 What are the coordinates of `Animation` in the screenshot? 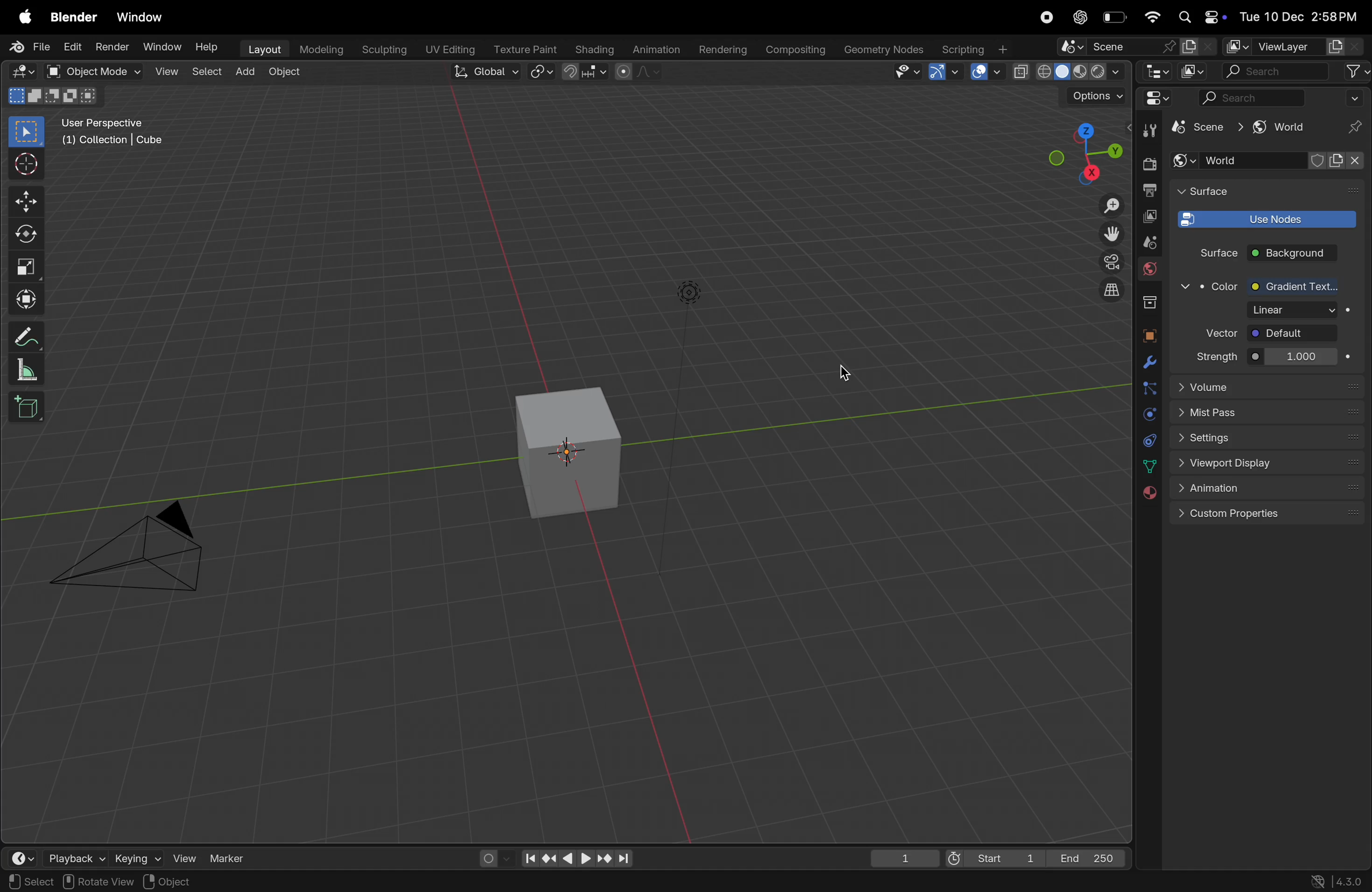 It's located at (654, 51).